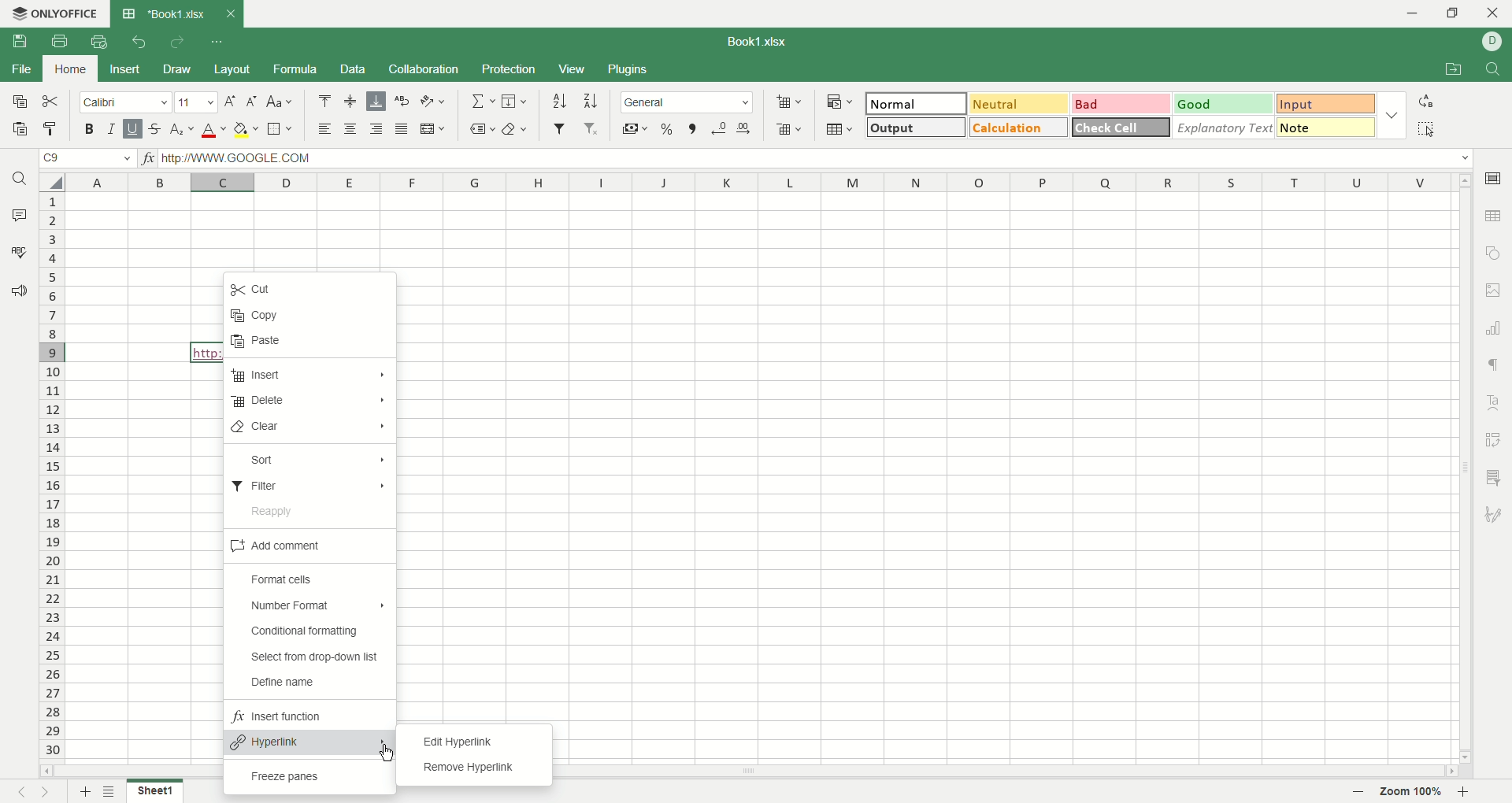  I want to click on home, so click(67, 68).